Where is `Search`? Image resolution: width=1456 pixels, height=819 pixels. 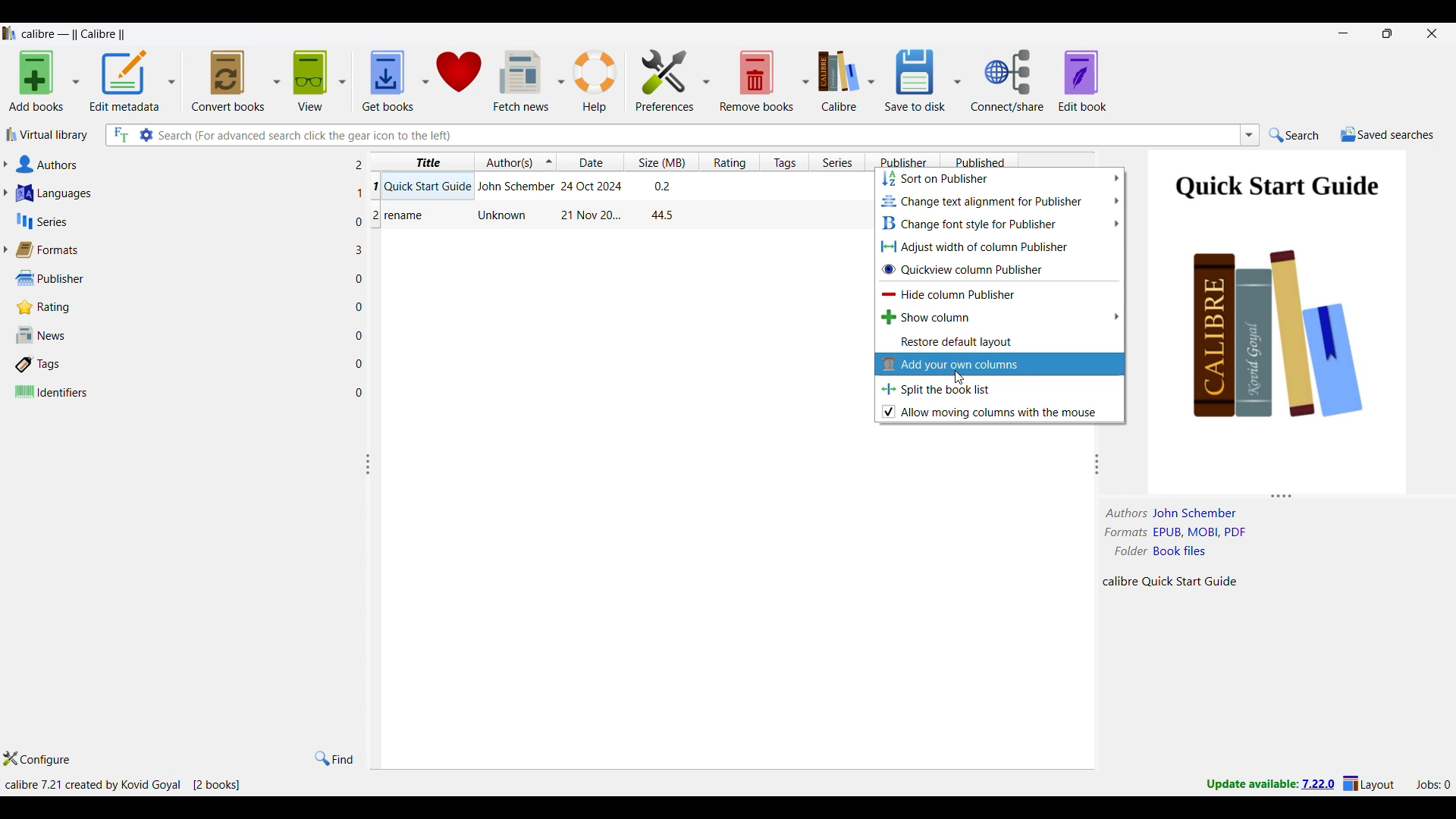
Search is located at coordinates (1294, 134).